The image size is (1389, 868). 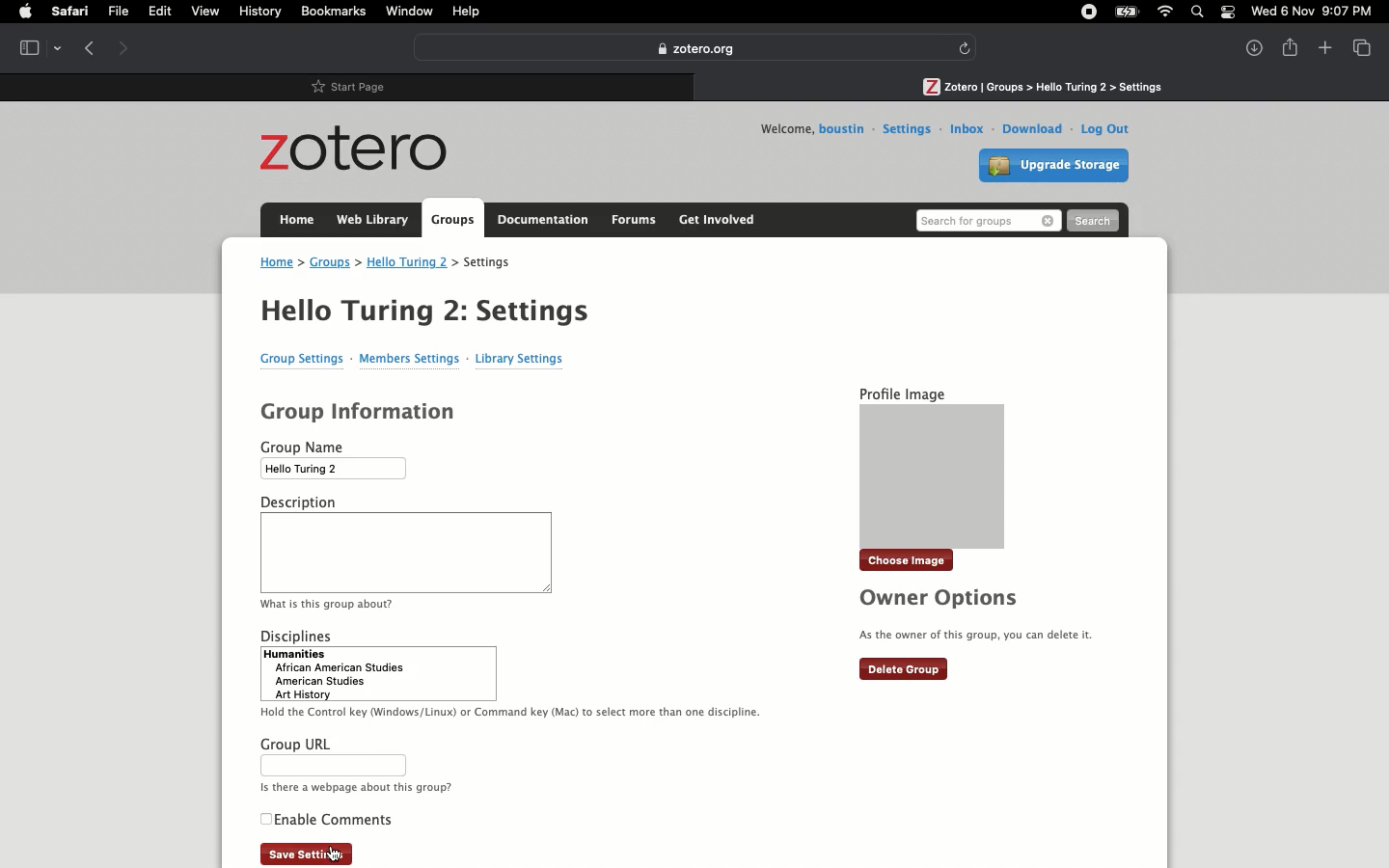 What do you see at coordinates (122, 12) in the screenshot?
I see `File` at bounding box center [122, 12].